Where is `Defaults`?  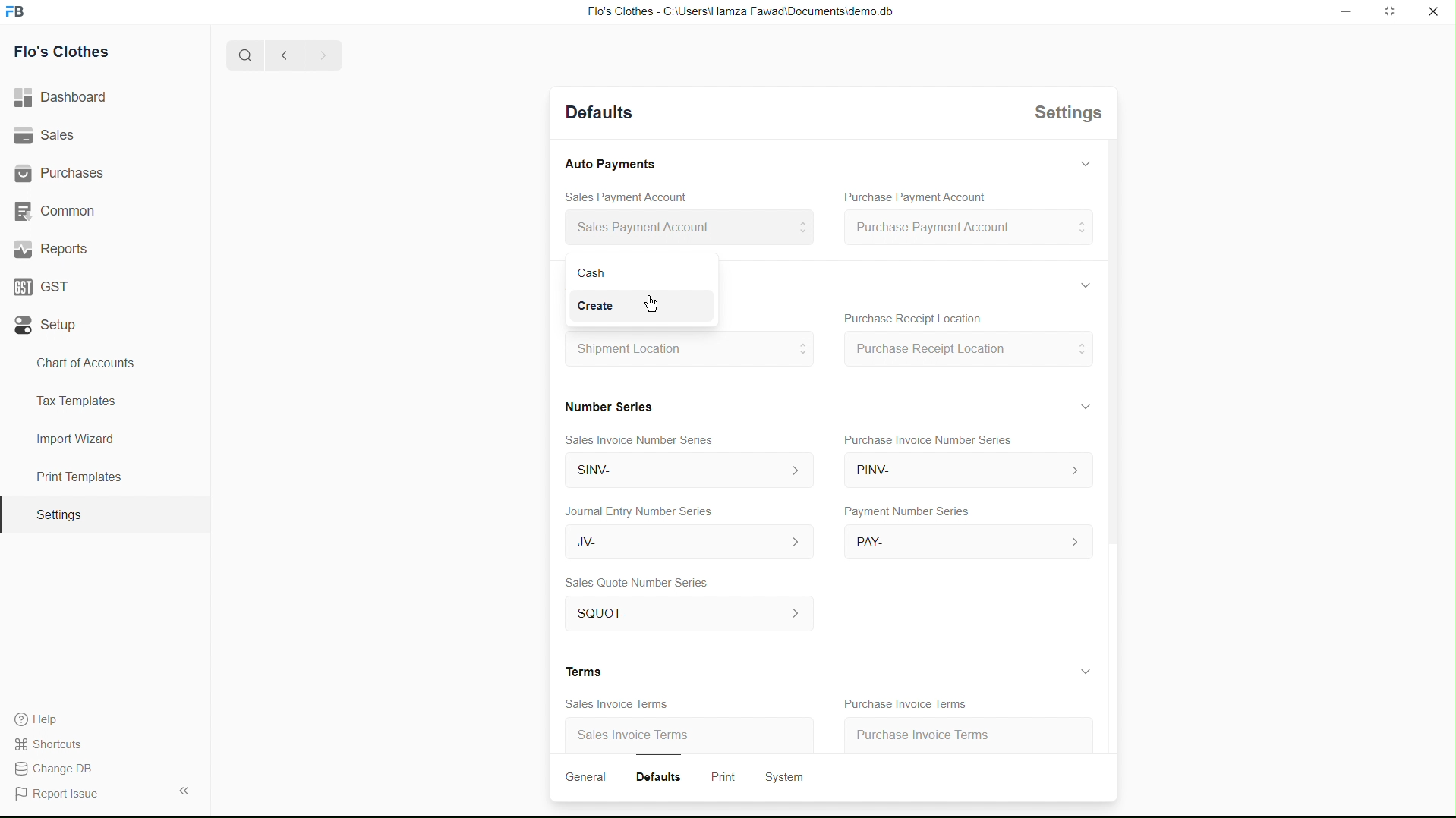
Defaults is located at coordinates (654, 776).